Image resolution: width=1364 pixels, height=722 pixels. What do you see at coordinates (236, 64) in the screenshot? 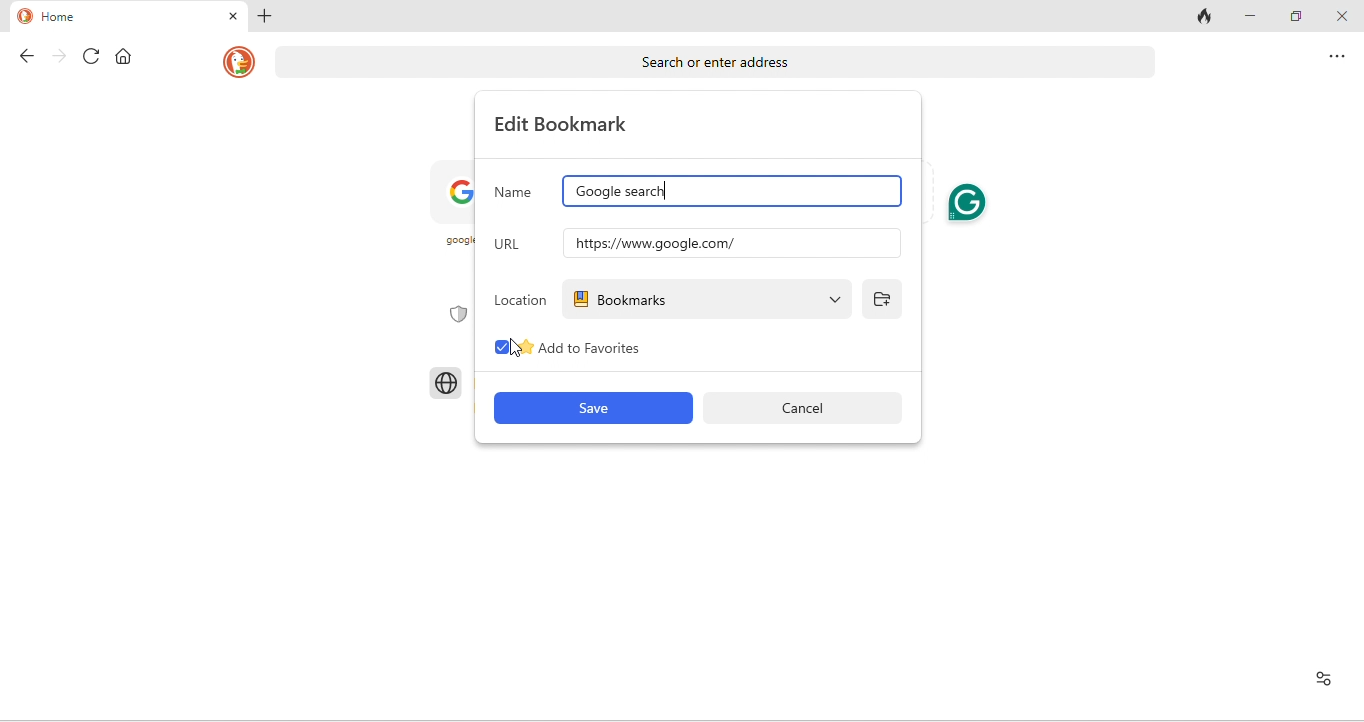
I see `homepage` at bounding box center [236, 64].